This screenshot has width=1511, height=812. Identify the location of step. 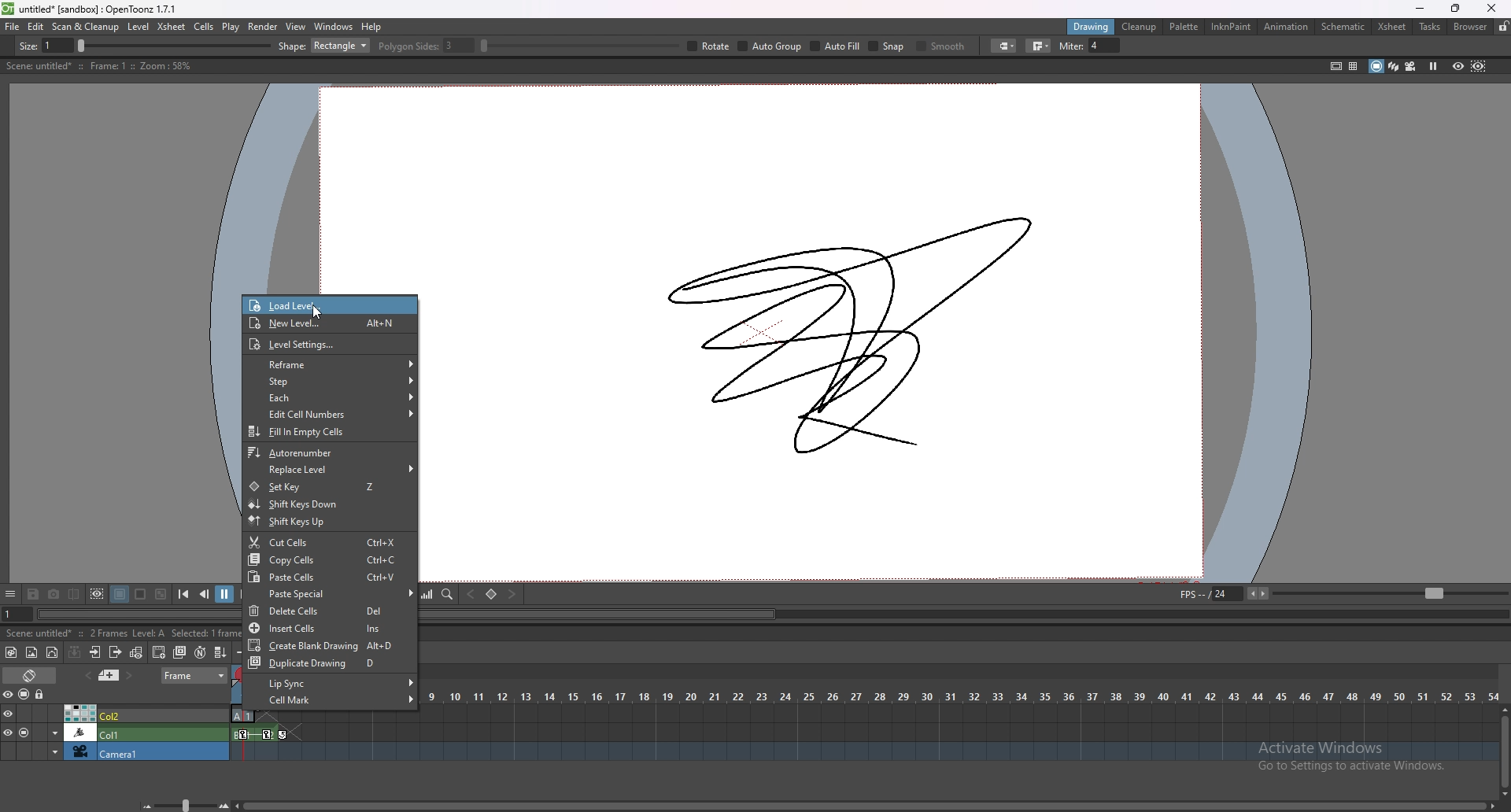
(329, 381).